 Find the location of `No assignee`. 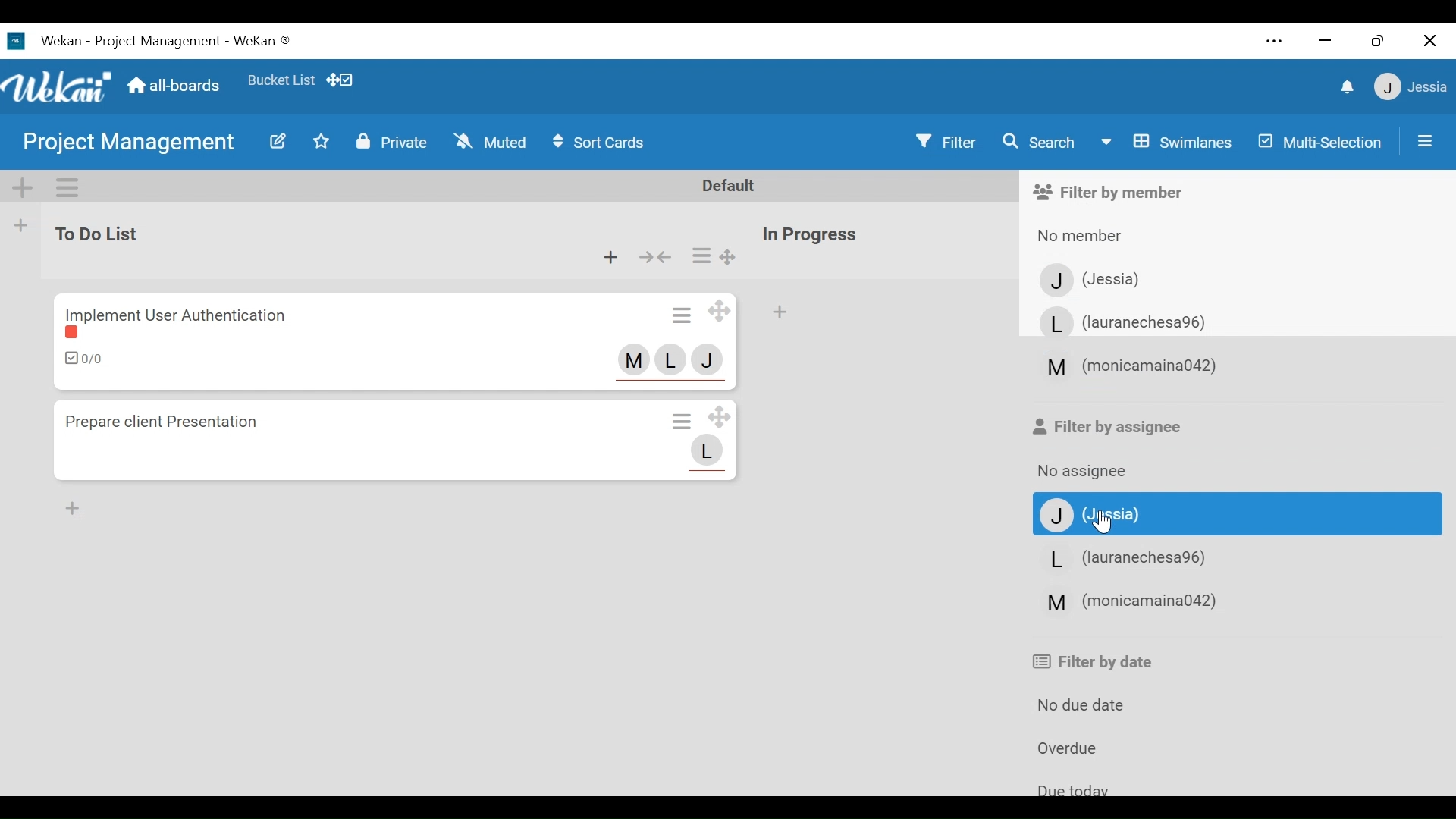

No assignee is located at coordinates (1090, 472).